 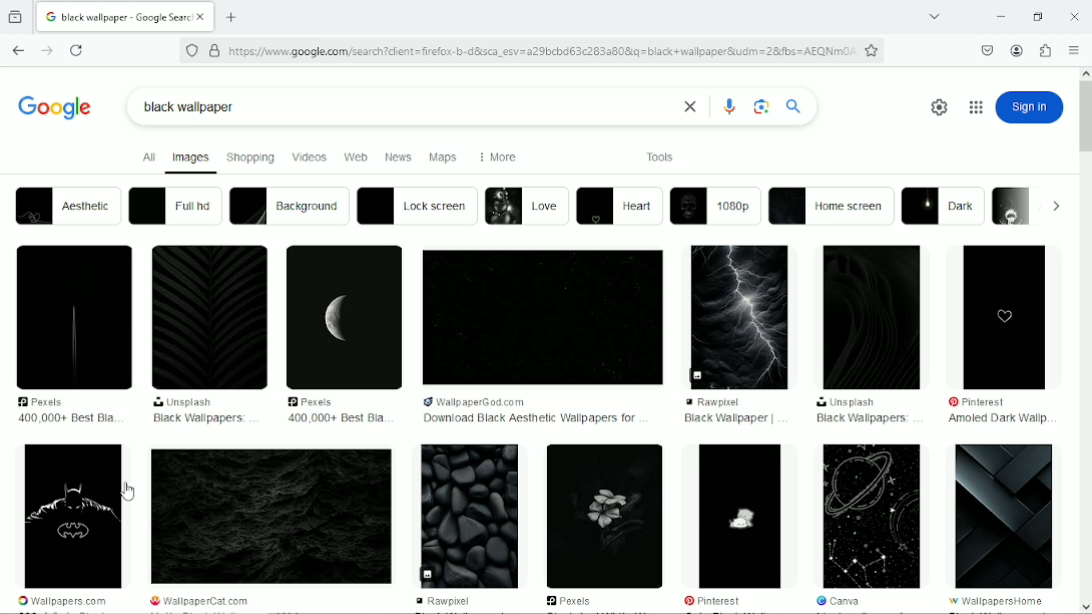 What do you see at coordinates (728, 419) in the screenshot?
I see `black wallpaper` at bounding box center [728, 419].